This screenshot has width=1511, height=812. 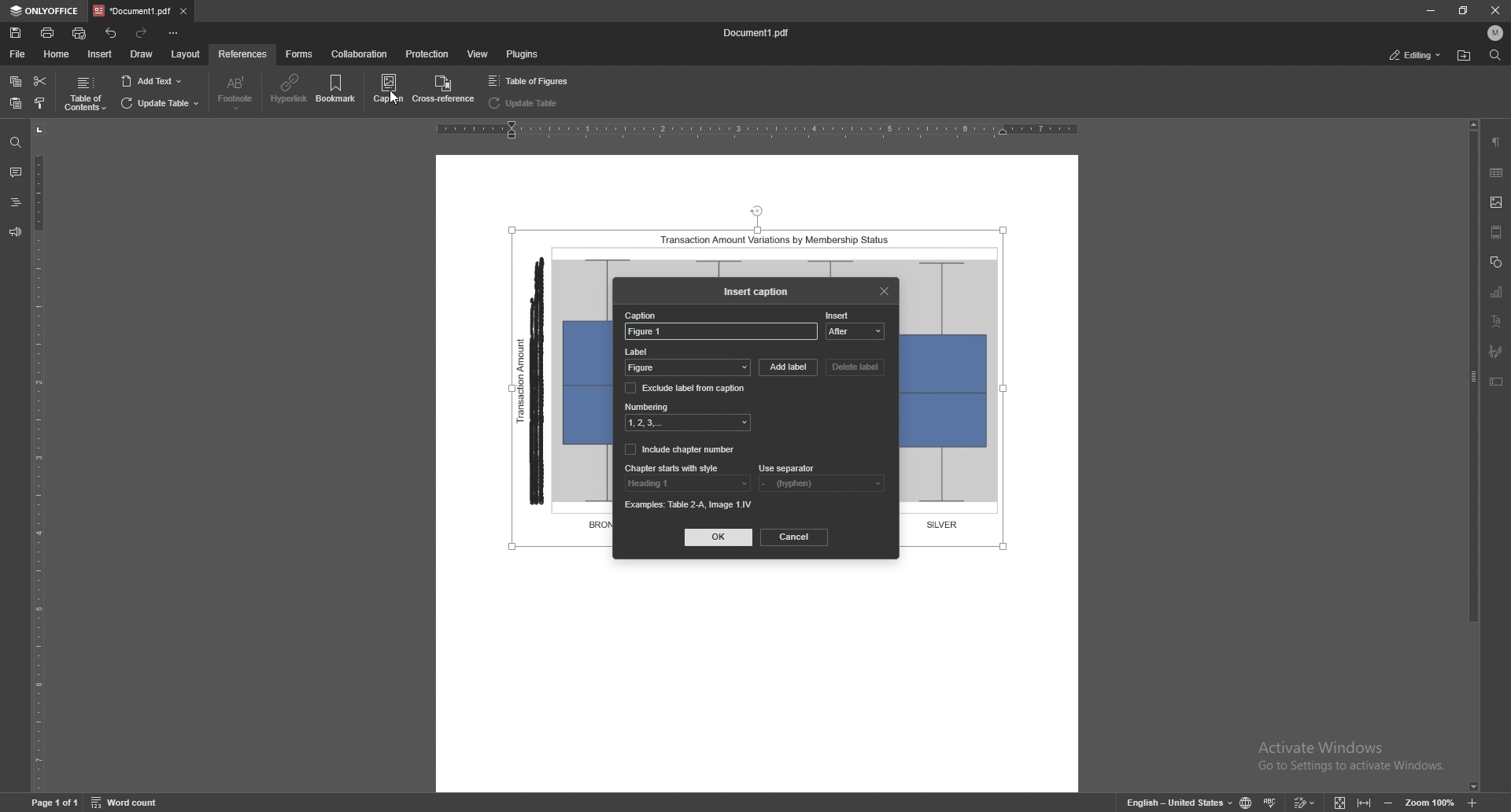 What do you see at coordinates (14, 171) in the screenshot?
I see `comments` at bounding box center [14, 171].